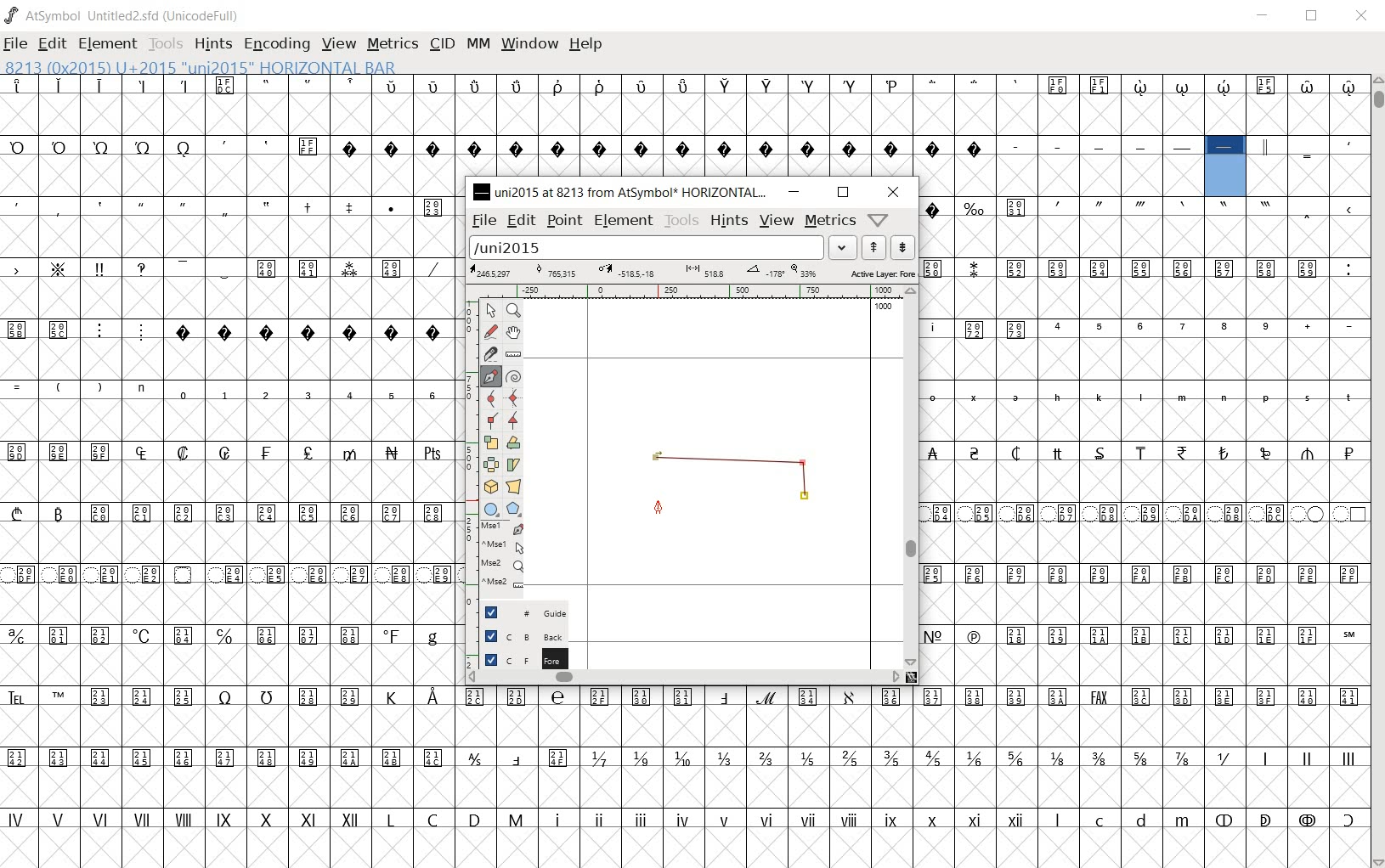 The image size is (1385, 868). I want to click on added point, so click(657, 461).